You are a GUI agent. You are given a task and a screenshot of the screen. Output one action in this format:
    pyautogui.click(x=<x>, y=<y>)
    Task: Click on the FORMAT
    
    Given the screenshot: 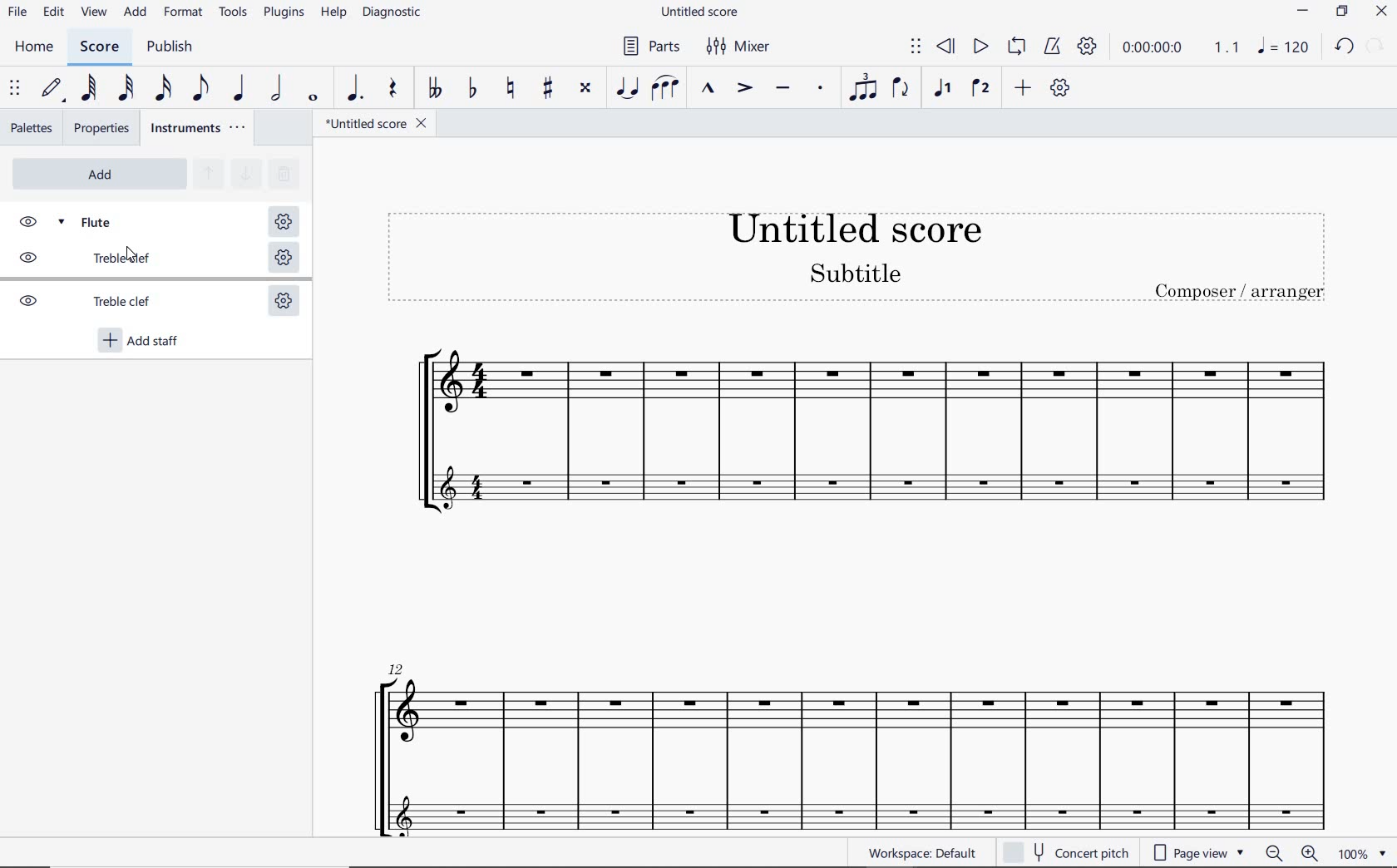 What is the action you would take?
    pyautogui.click(x=184, y=12)
    